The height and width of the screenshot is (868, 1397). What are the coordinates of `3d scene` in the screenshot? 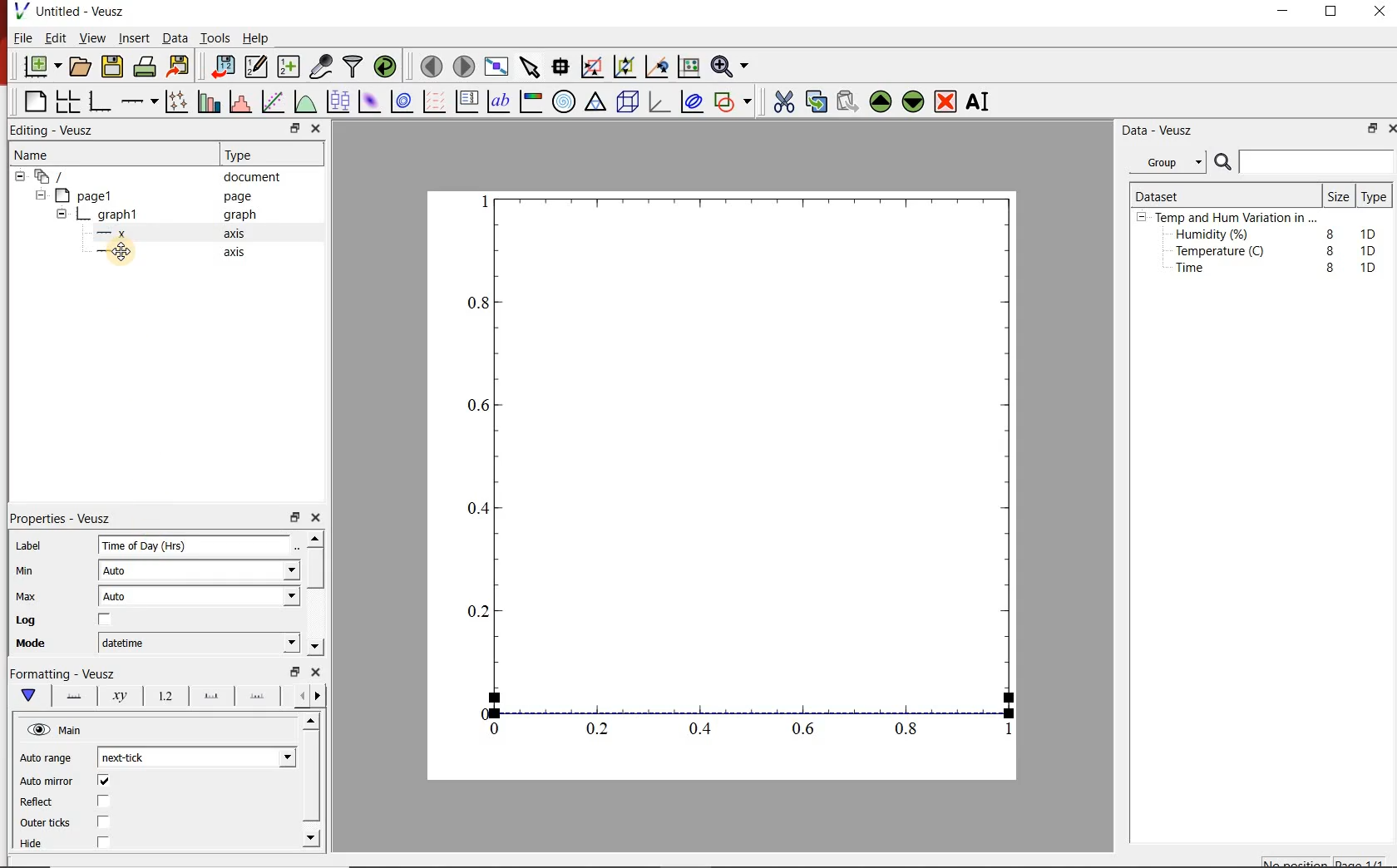 It's located at (629, 104).